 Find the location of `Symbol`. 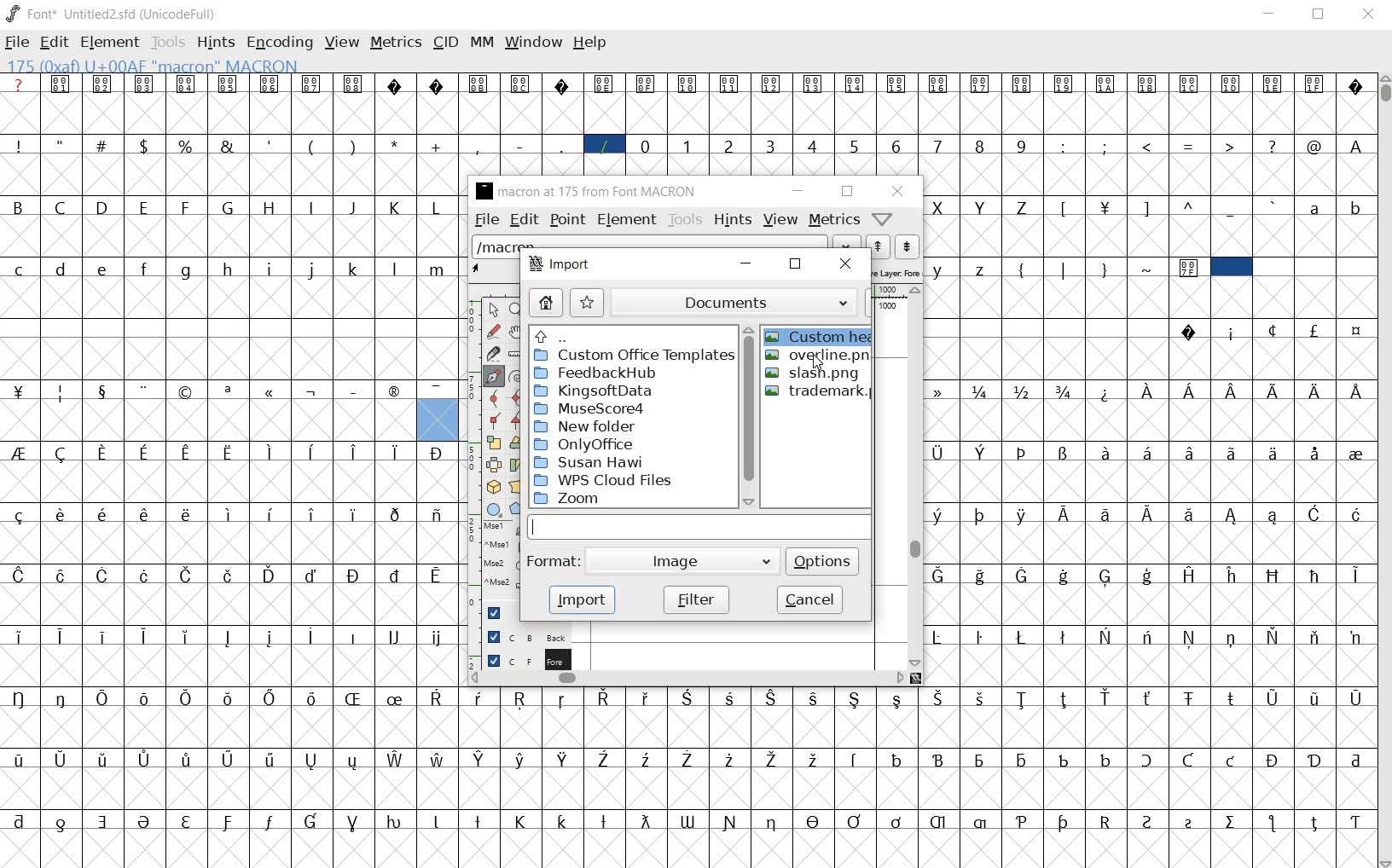

Symbol is located at coordinates (1149, 820).